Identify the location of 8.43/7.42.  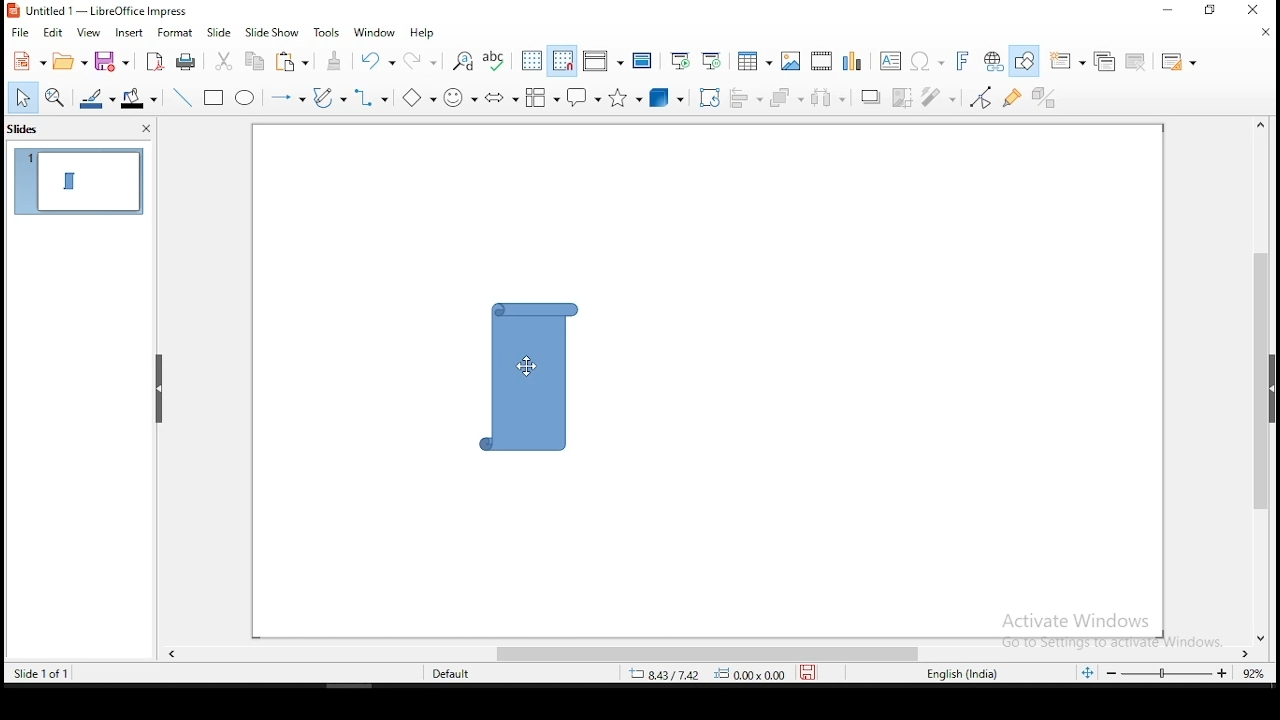
(665, 676).